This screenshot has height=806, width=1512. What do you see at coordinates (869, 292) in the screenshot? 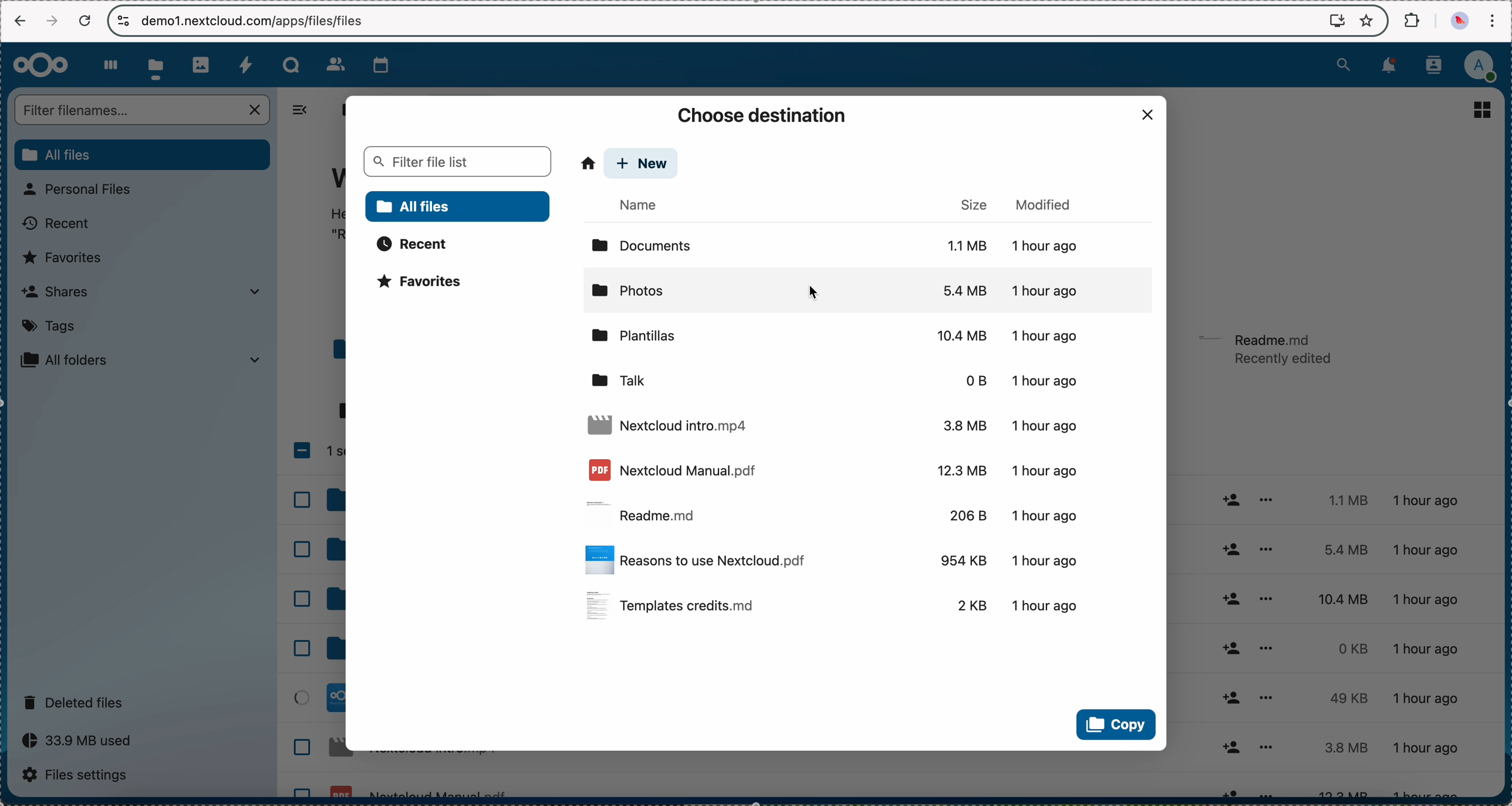
I see `click on photos option` at bounding box center [869, 292].